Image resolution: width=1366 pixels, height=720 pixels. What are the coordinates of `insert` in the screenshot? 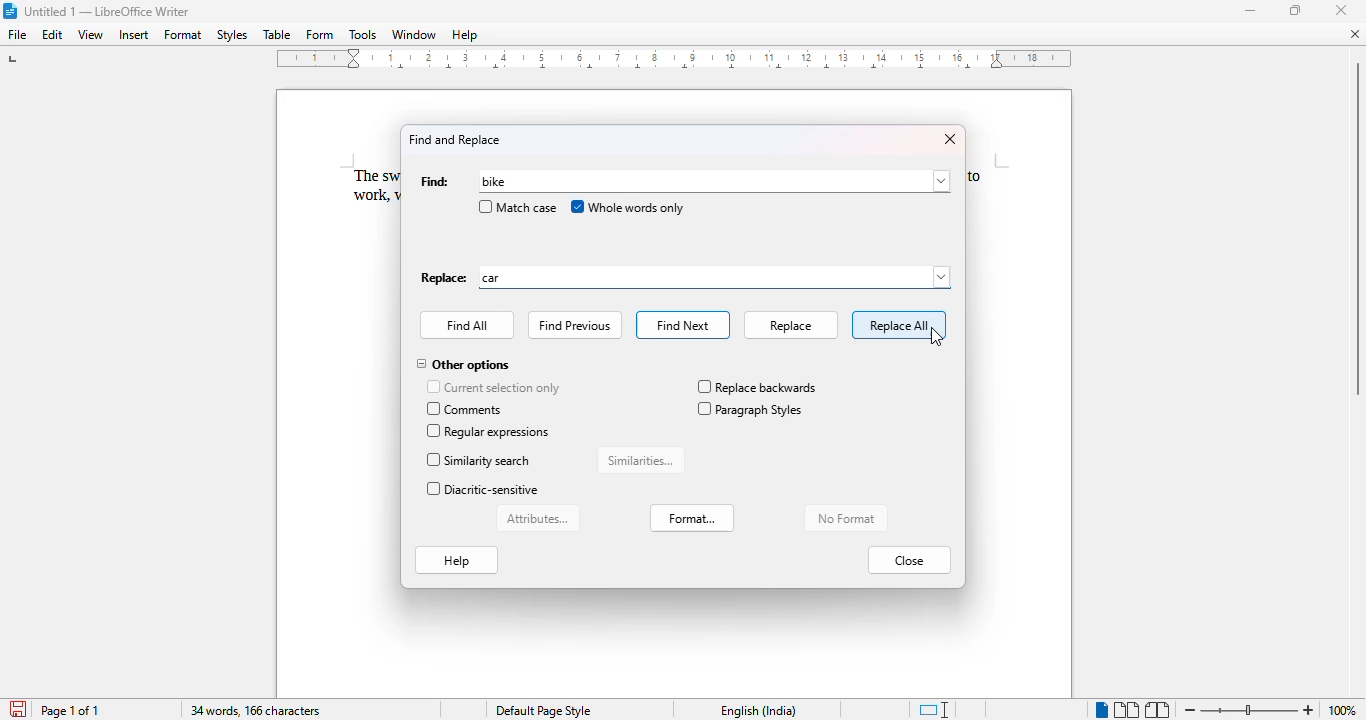 It's located at (133, 35).